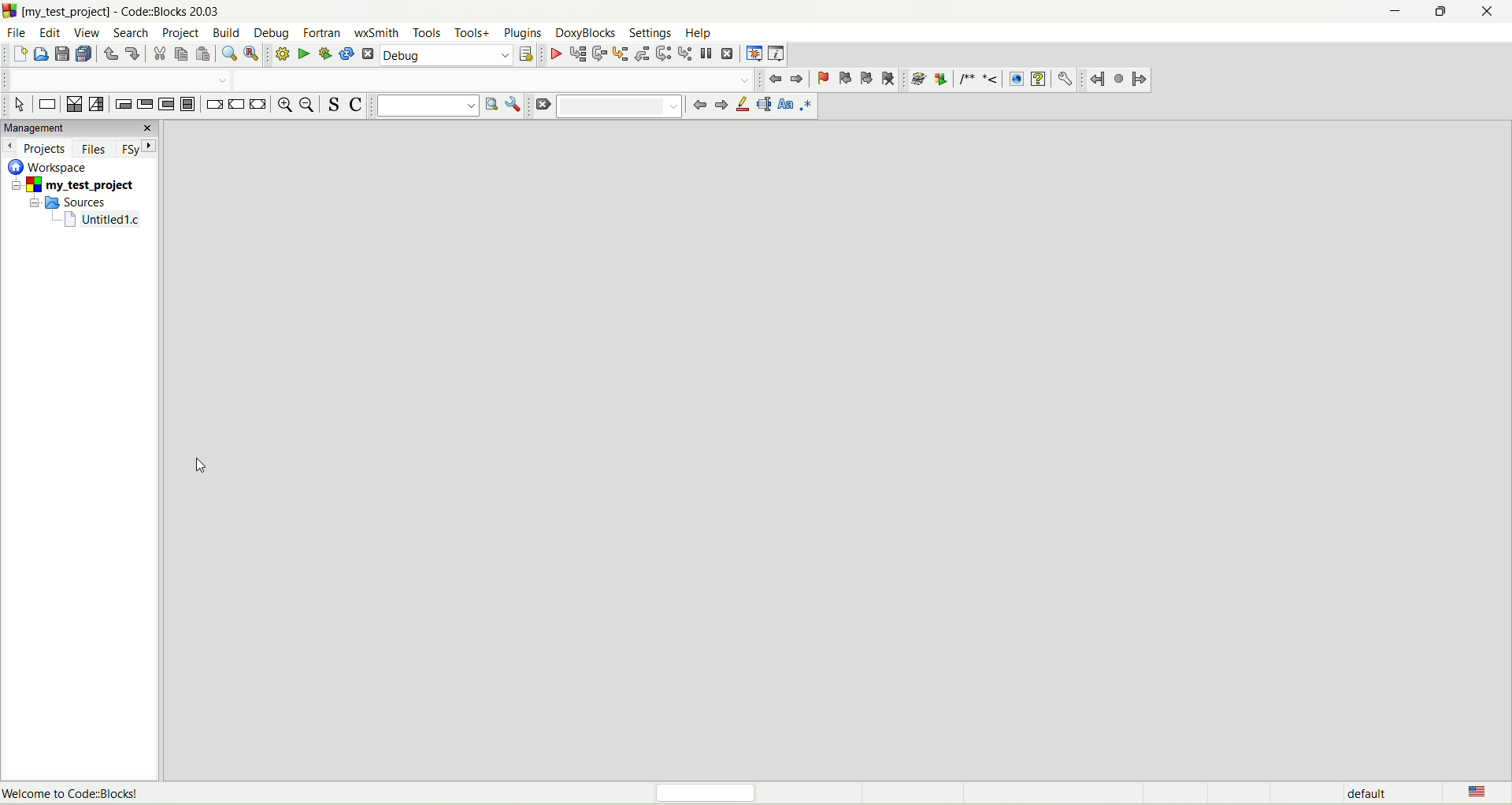  What do you see at coordinates (75, 795) in the screenshot?
I see `Welcome to Code:Blocks!` at bounding box center [75, 795].